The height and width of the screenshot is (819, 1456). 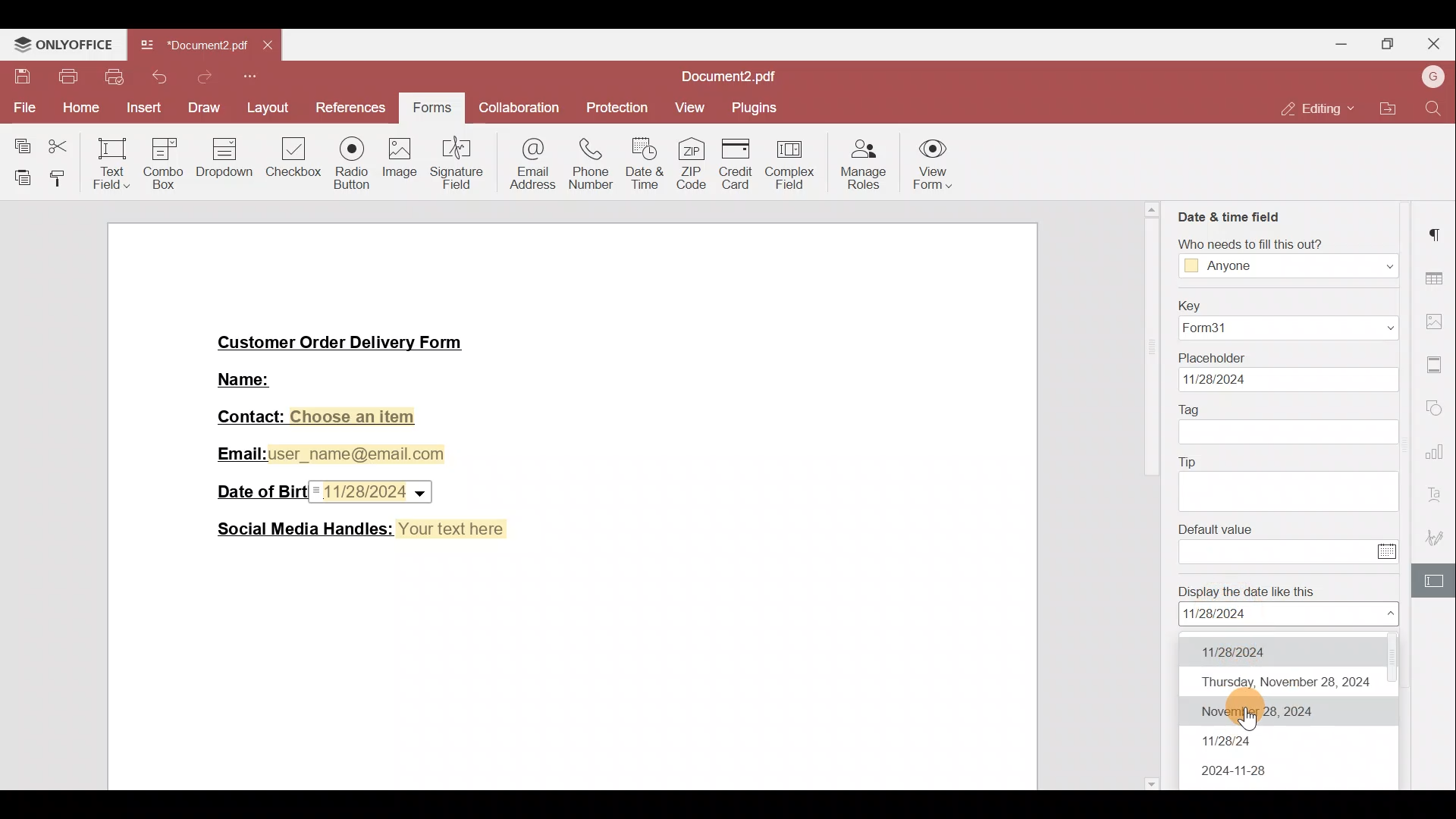 What do you see at coordinates (761, 107) in the screenshot?
I see `Plugins` at bounding box center [761, 107].